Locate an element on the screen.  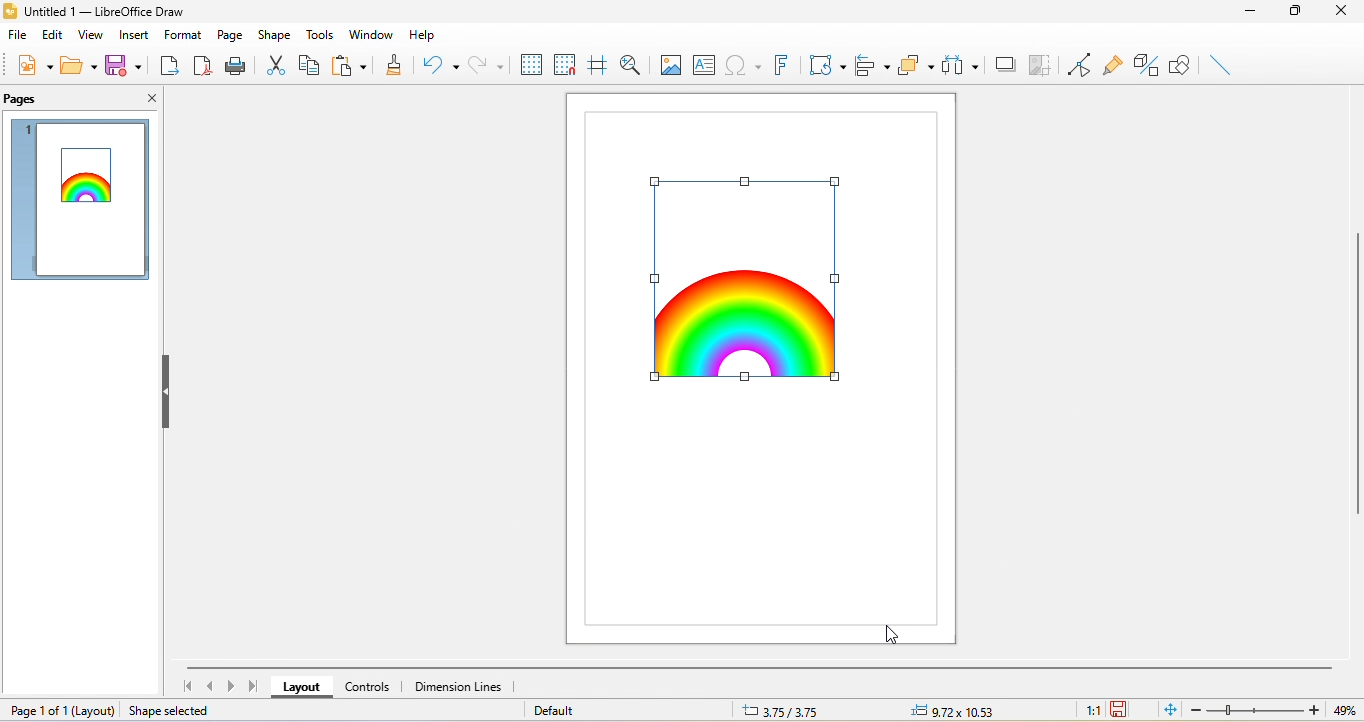
last page is located at coordinates (254, 687).